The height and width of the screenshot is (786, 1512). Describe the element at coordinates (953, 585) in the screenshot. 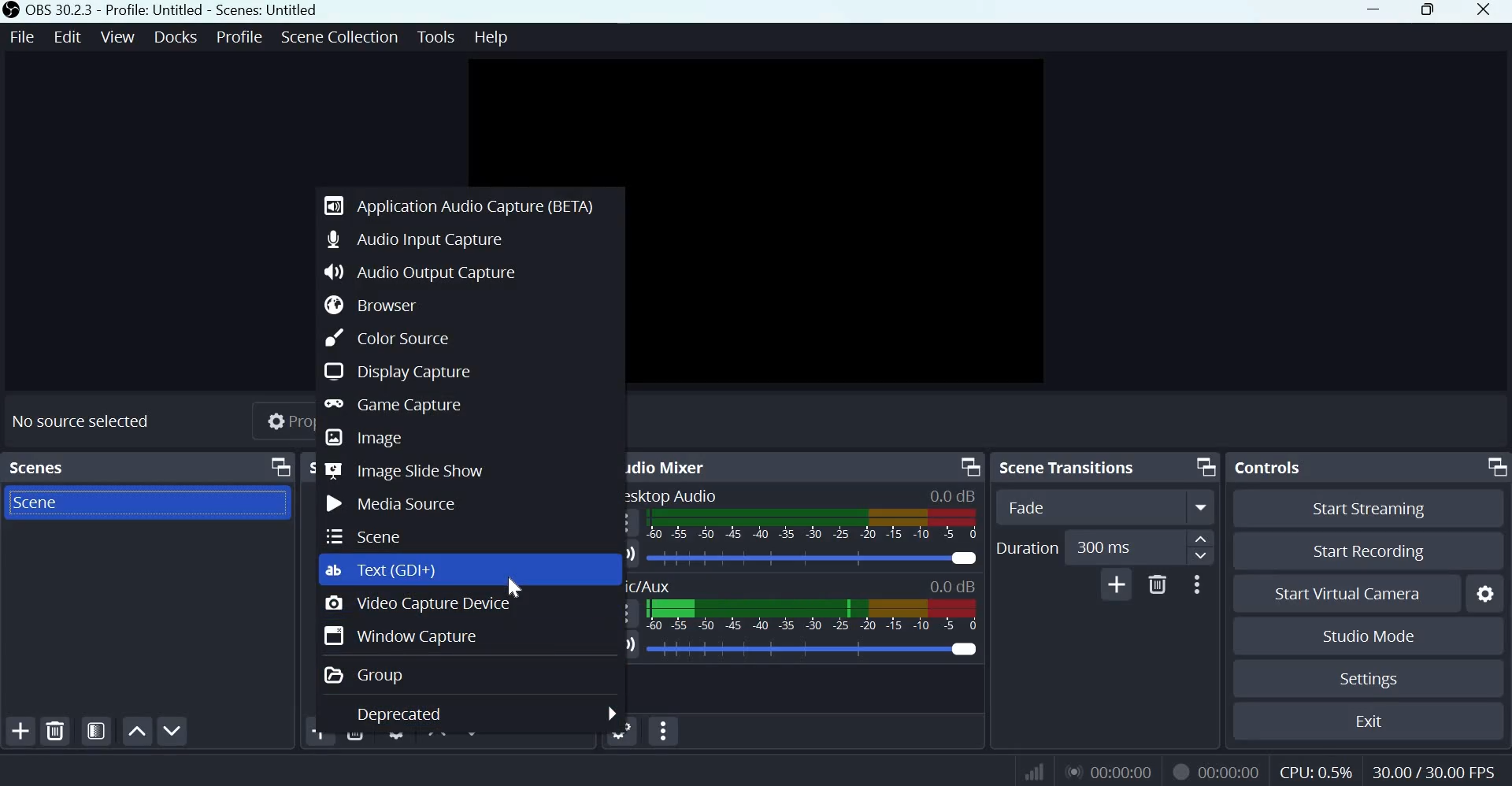

I see `Audio Level Indicator` at that location.